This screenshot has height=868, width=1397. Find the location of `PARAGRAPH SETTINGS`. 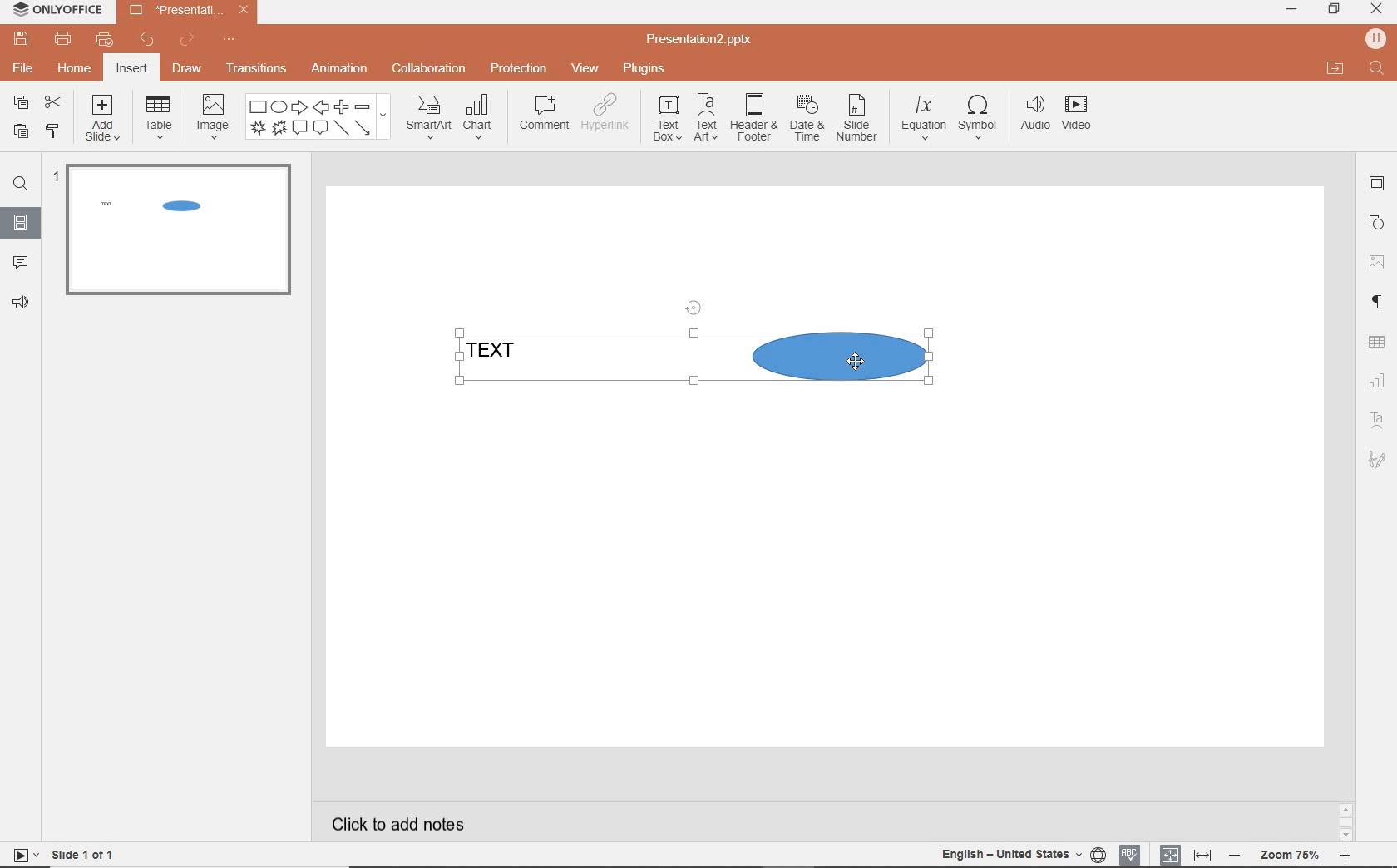

PARAGRAPH SETTINGS is located at coordinates (1378, 303).